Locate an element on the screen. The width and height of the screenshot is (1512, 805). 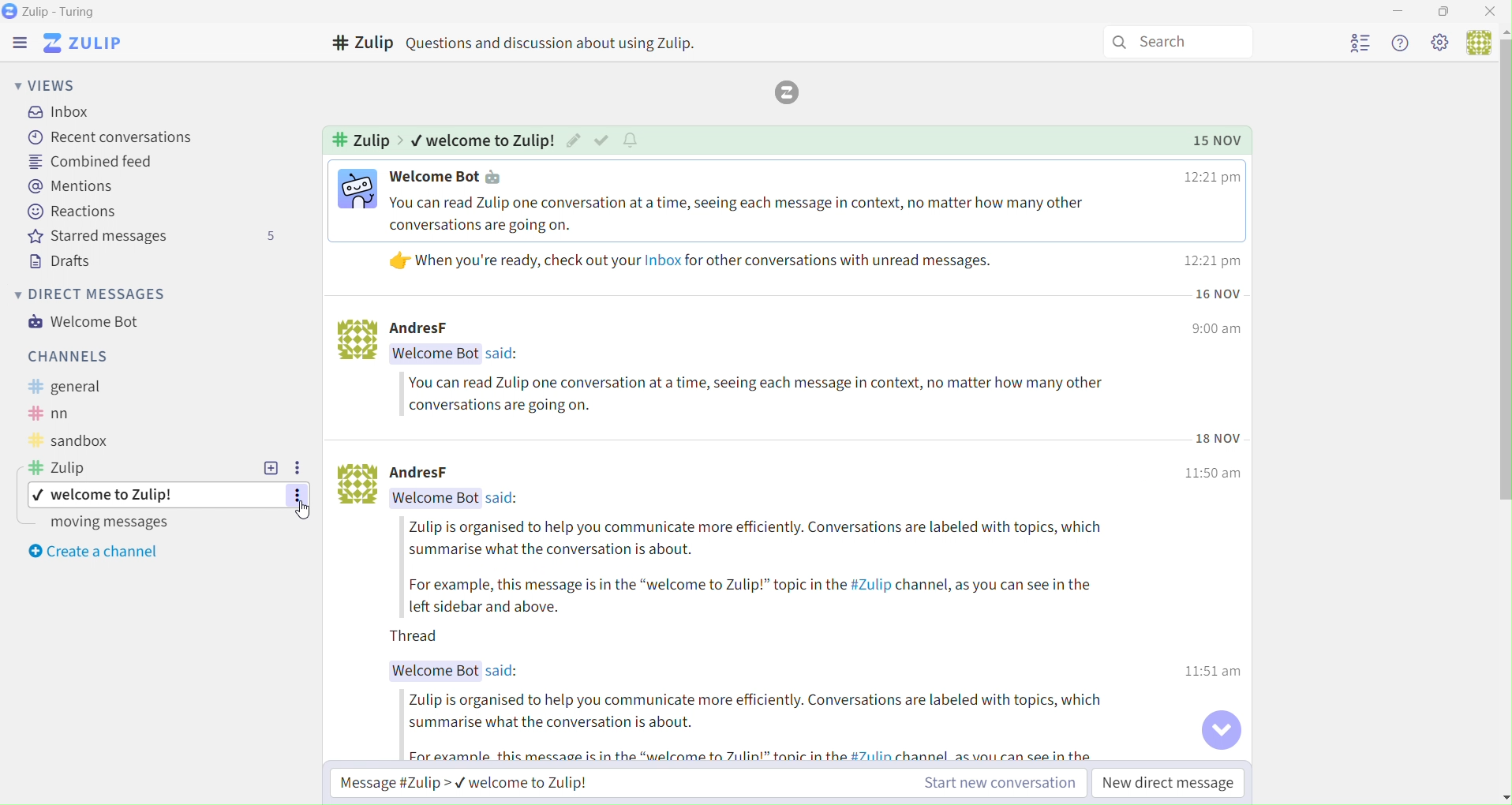
Zulip is located at coordinates (16, 43).